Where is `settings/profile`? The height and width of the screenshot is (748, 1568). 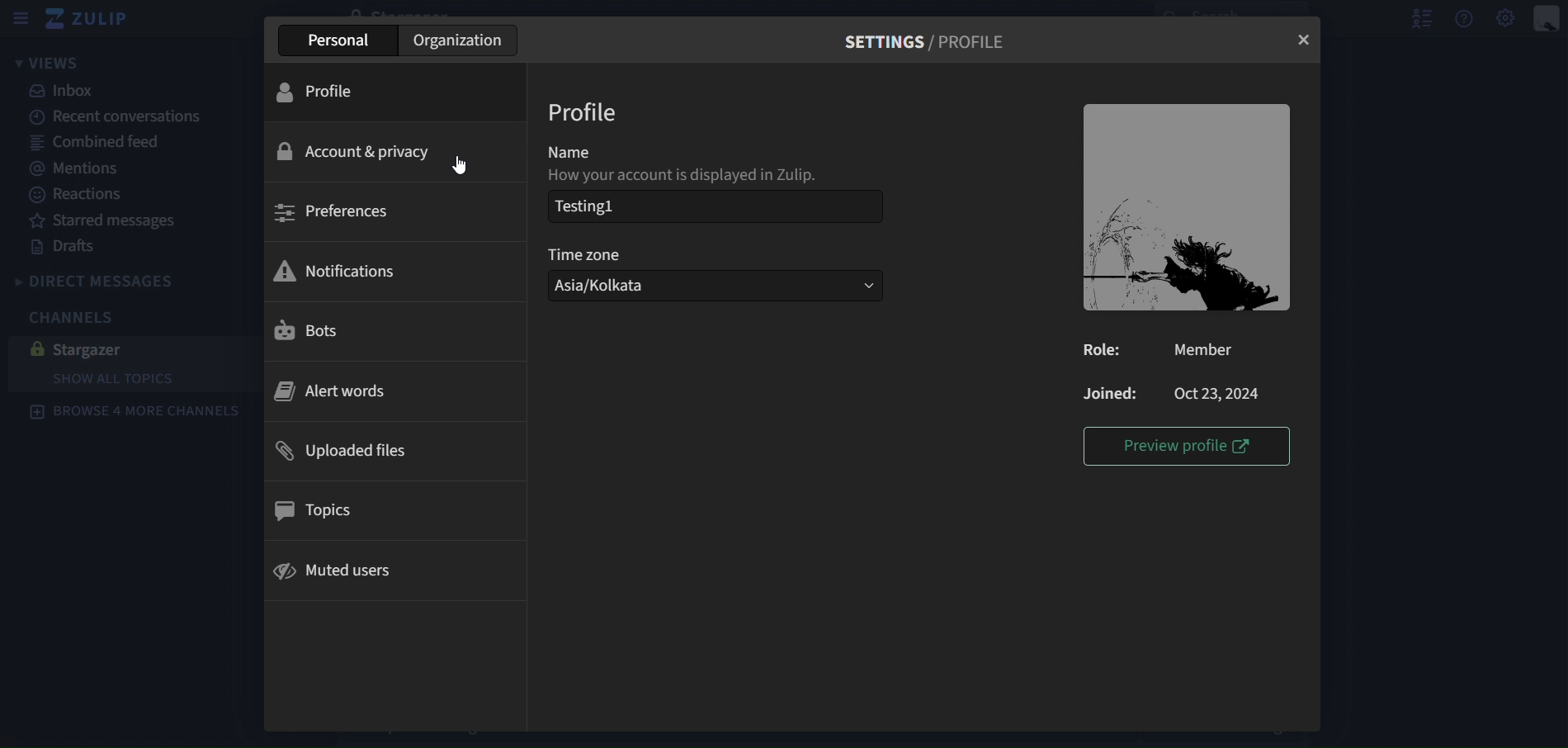 settings/profile is located at coordinates (933, 43).